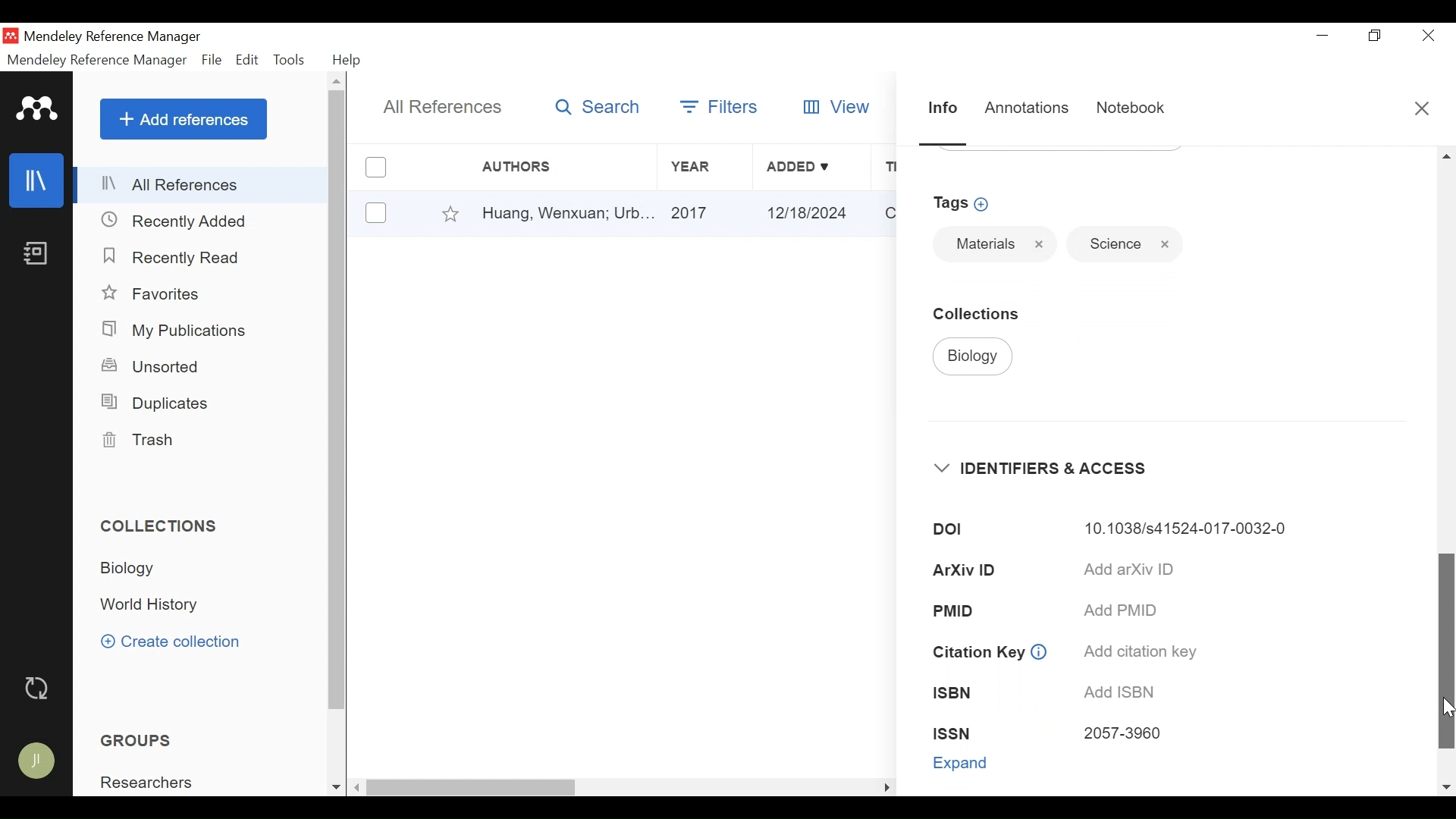 Image resolution: width=1456 pixels, height=819 pixels. What do you see at coordinates (155, 783) in the screenshot?
I see `Group` at bounding box center [155, 783].